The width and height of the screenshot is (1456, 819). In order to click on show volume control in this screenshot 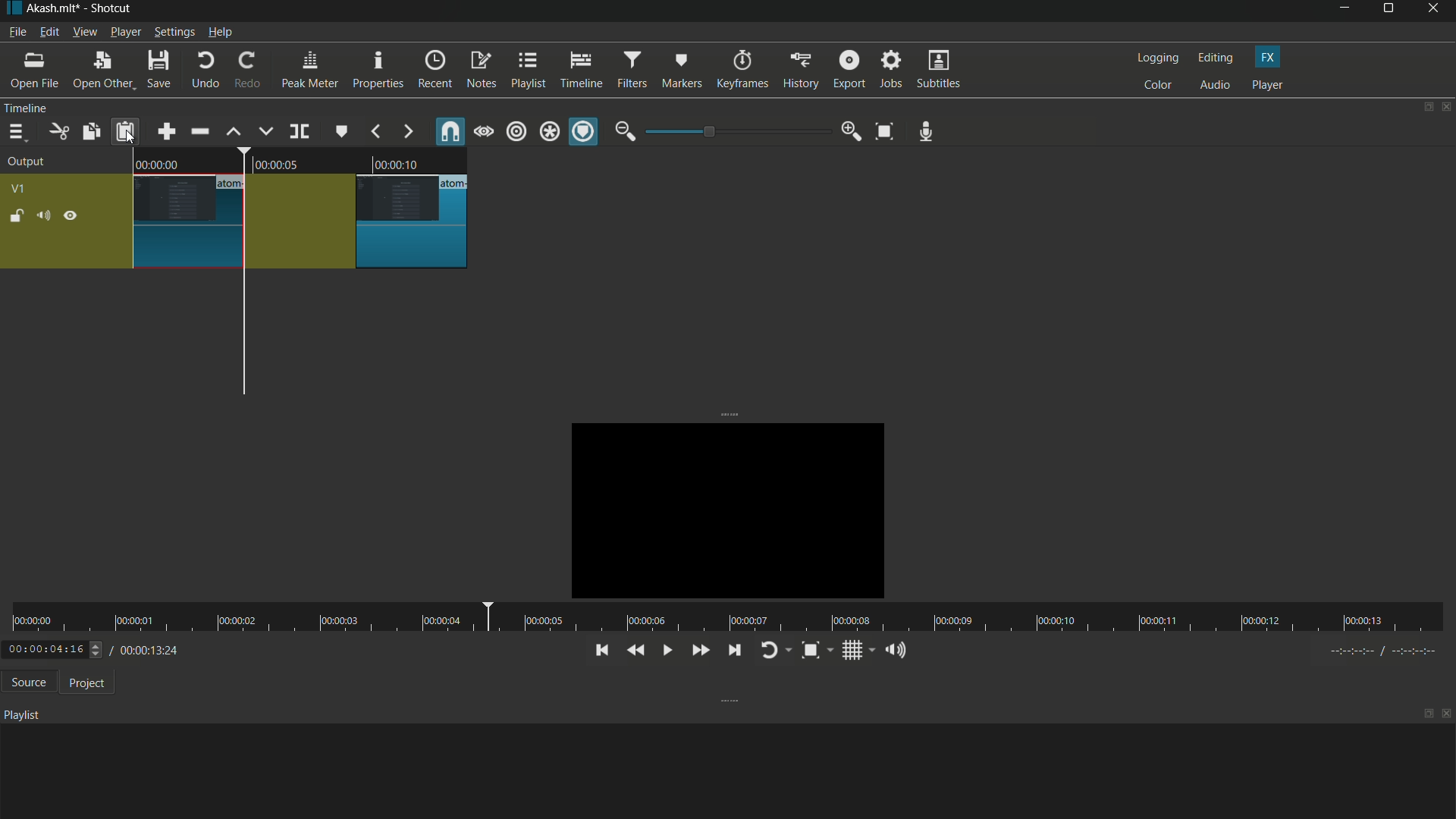, I will do `click(899, 649)`.